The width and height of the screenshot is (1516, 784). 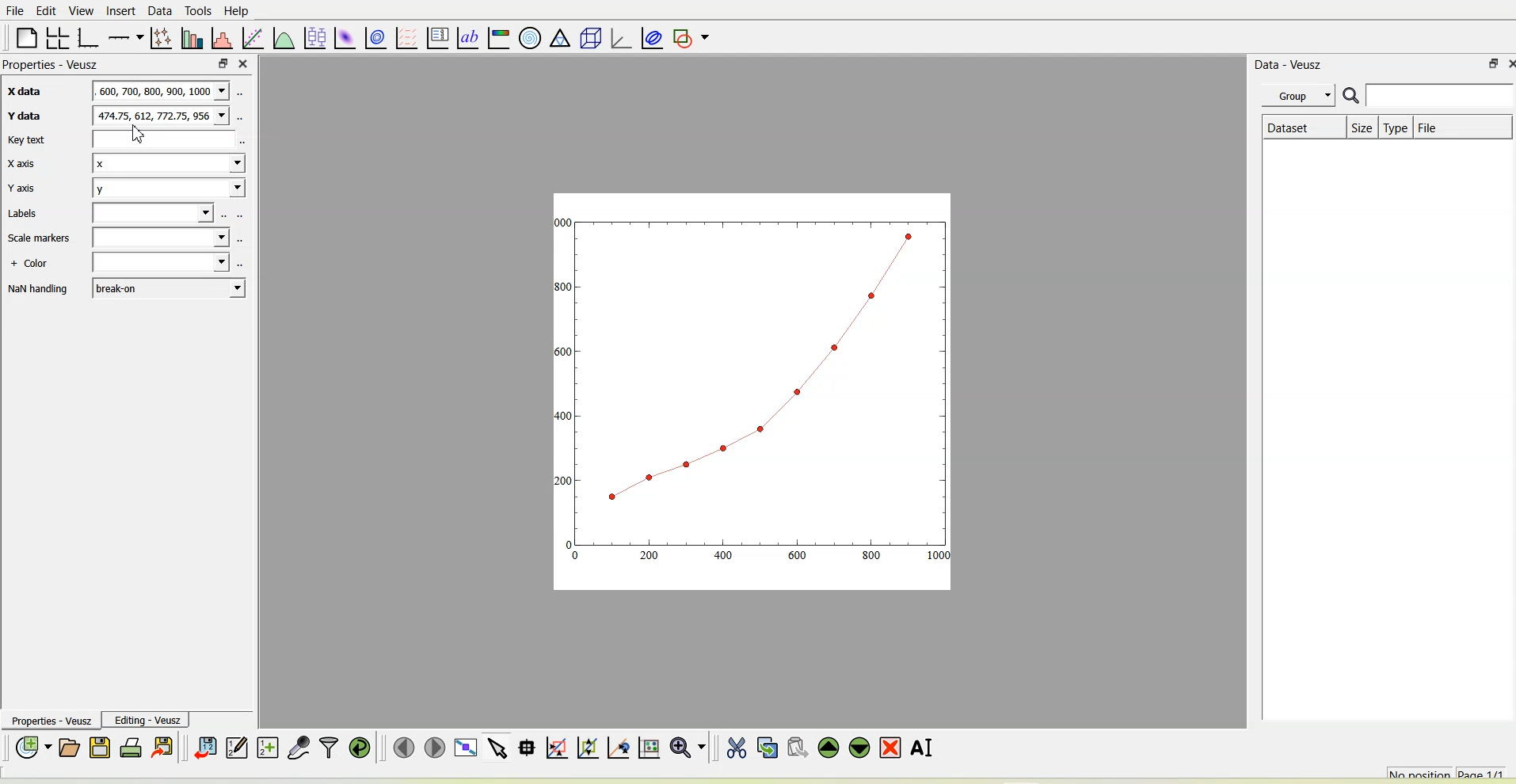 What do you see at coordinates (872, 556) in the screenshot?
I see `800` at bounding box center [872, 556].